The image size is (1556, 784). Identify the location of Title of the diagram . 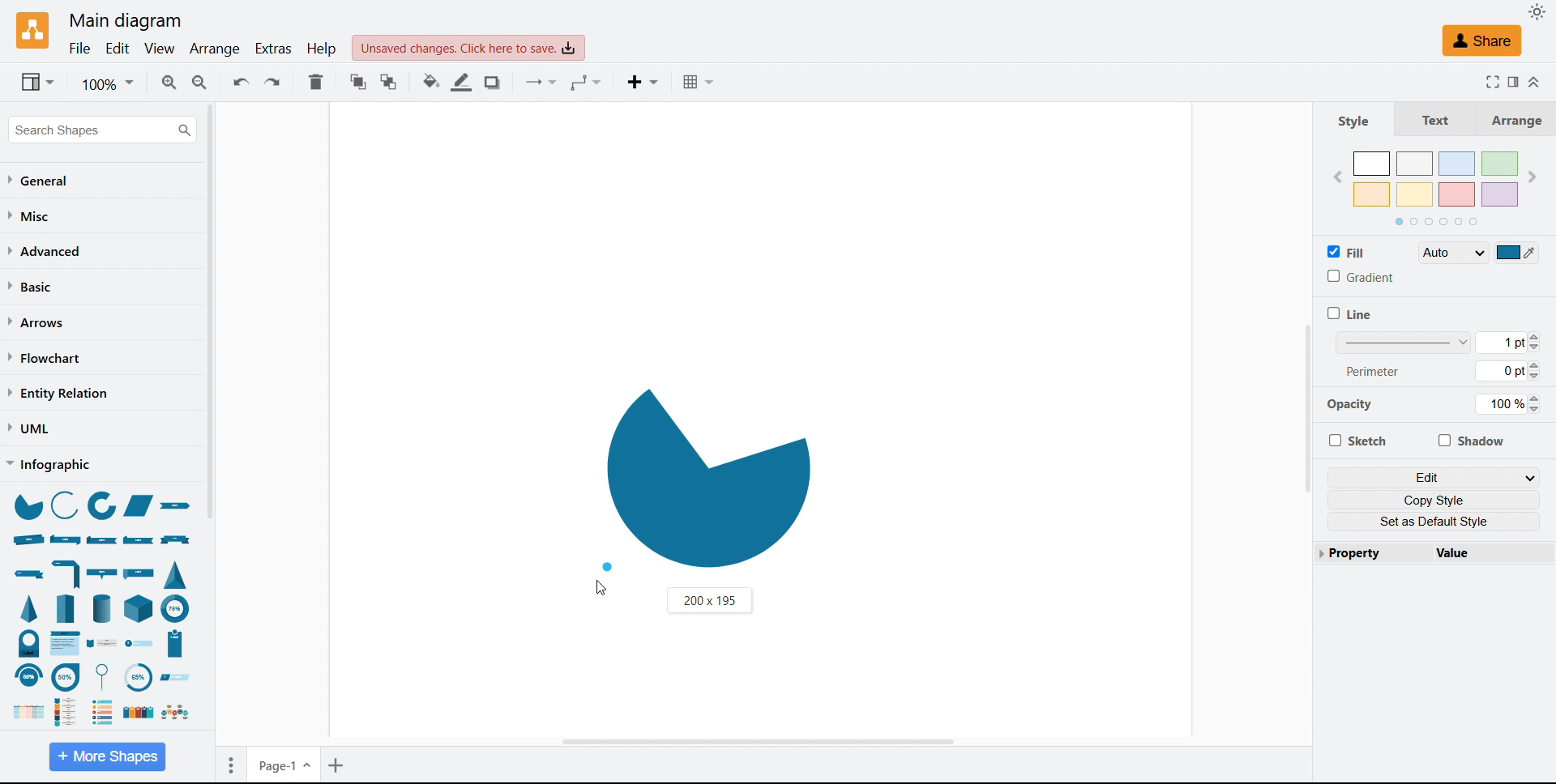
(124, 21).